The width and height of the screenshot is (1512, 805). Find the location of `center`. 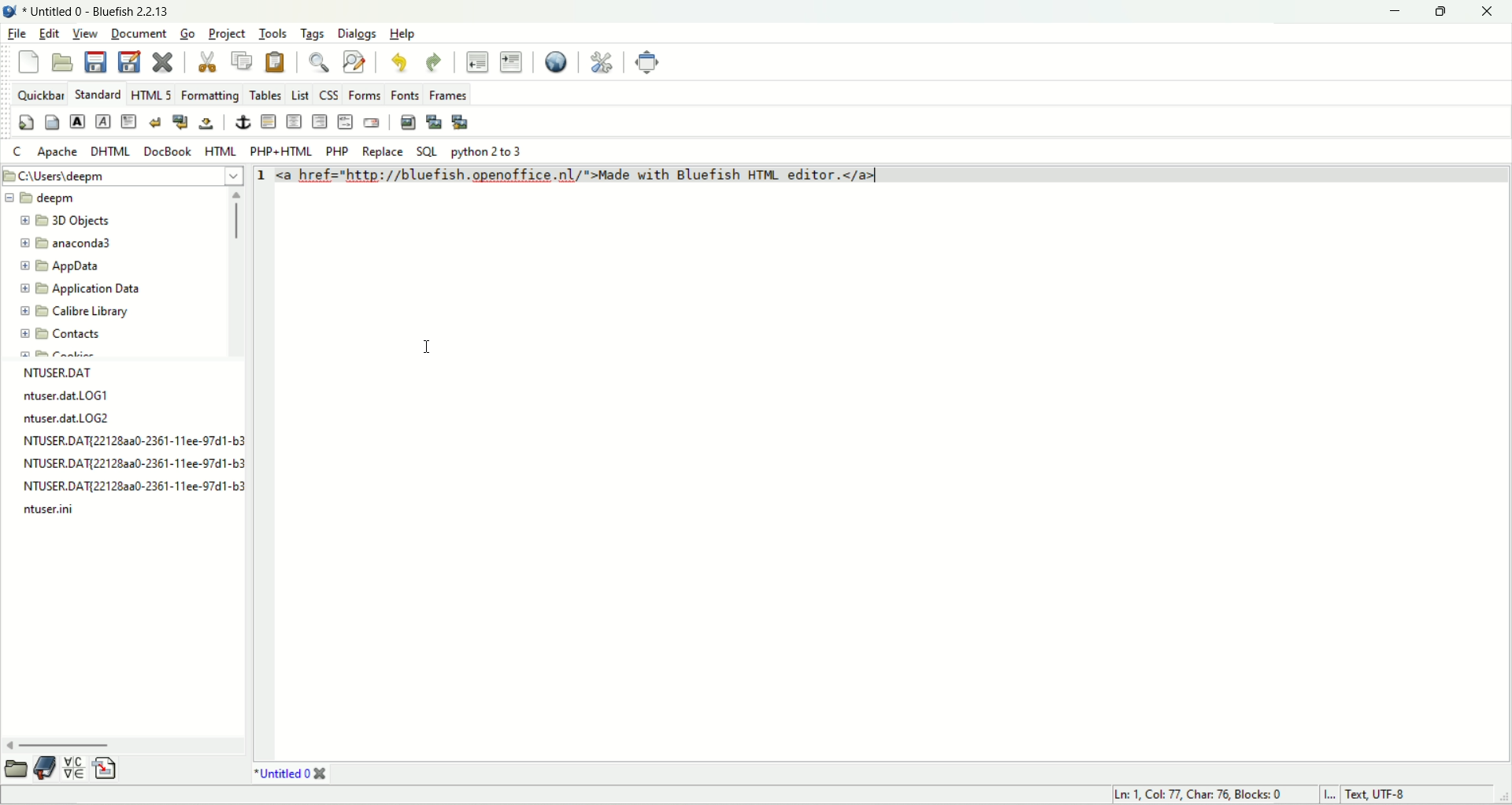

center is located at coordinates (294, 123).